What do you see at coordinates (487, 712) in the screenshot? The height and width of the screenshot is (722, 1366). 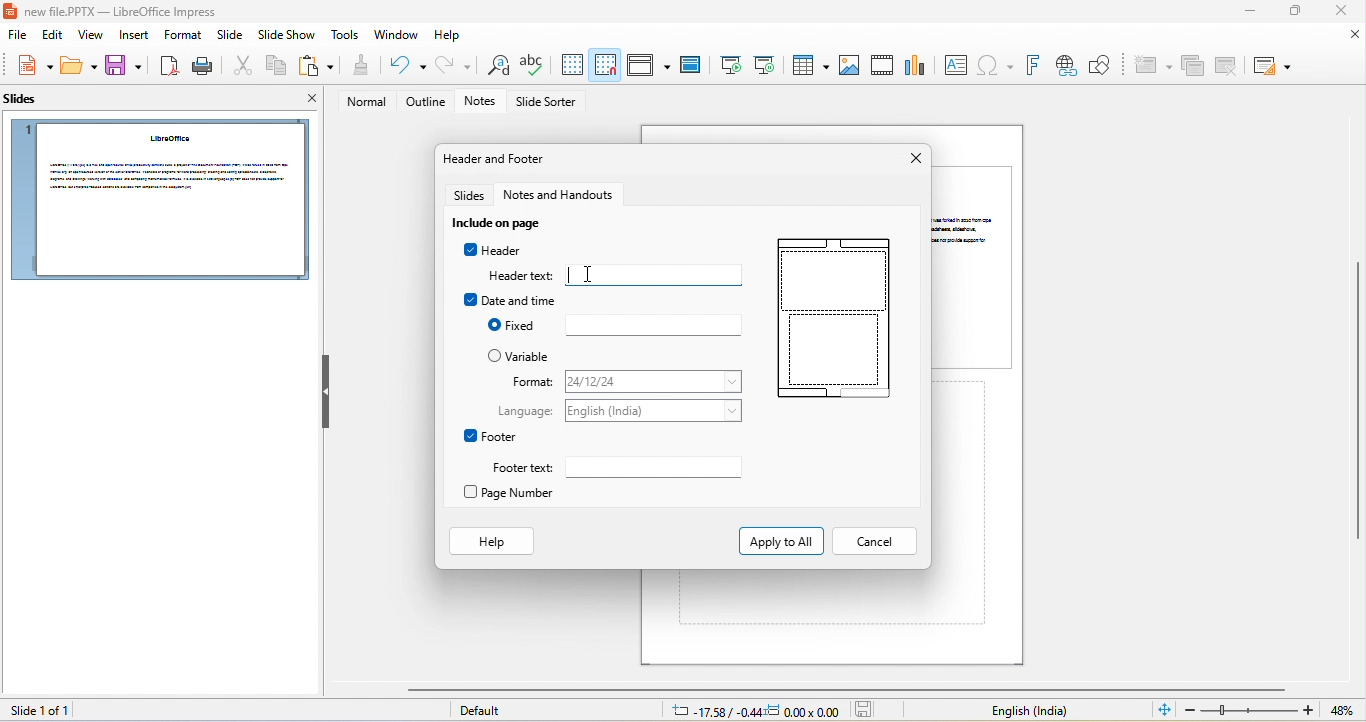 I see `default` at bounding box center [487, 712].